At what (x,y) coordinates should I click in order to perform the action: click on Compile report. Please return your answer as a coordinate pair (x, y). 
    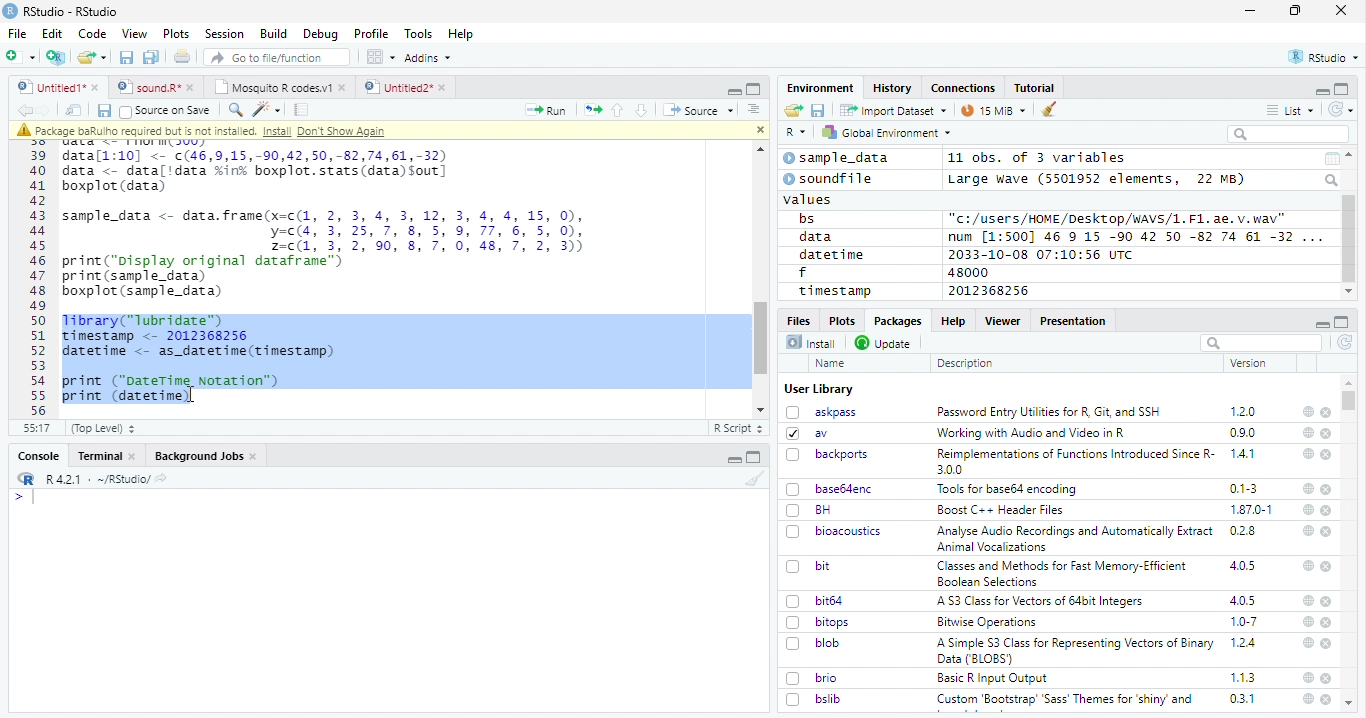
    Looking at the image, I should click on (302, 110).